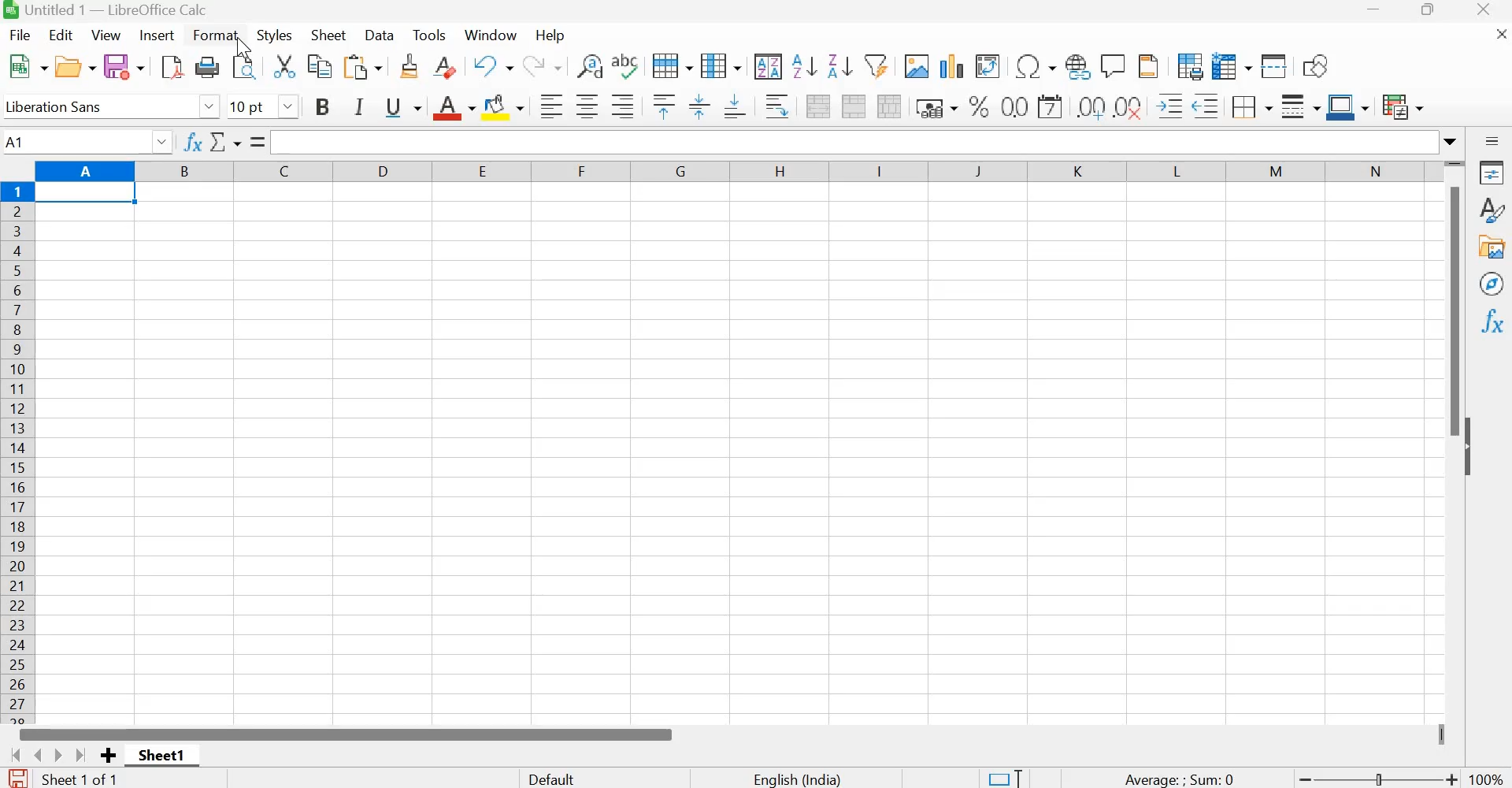 Image resolution: width=1512 pixels, height=788 pixels. Describe the element at coordinates (1314, 64) in the screenshot. I see `Show draw functions` at that location.